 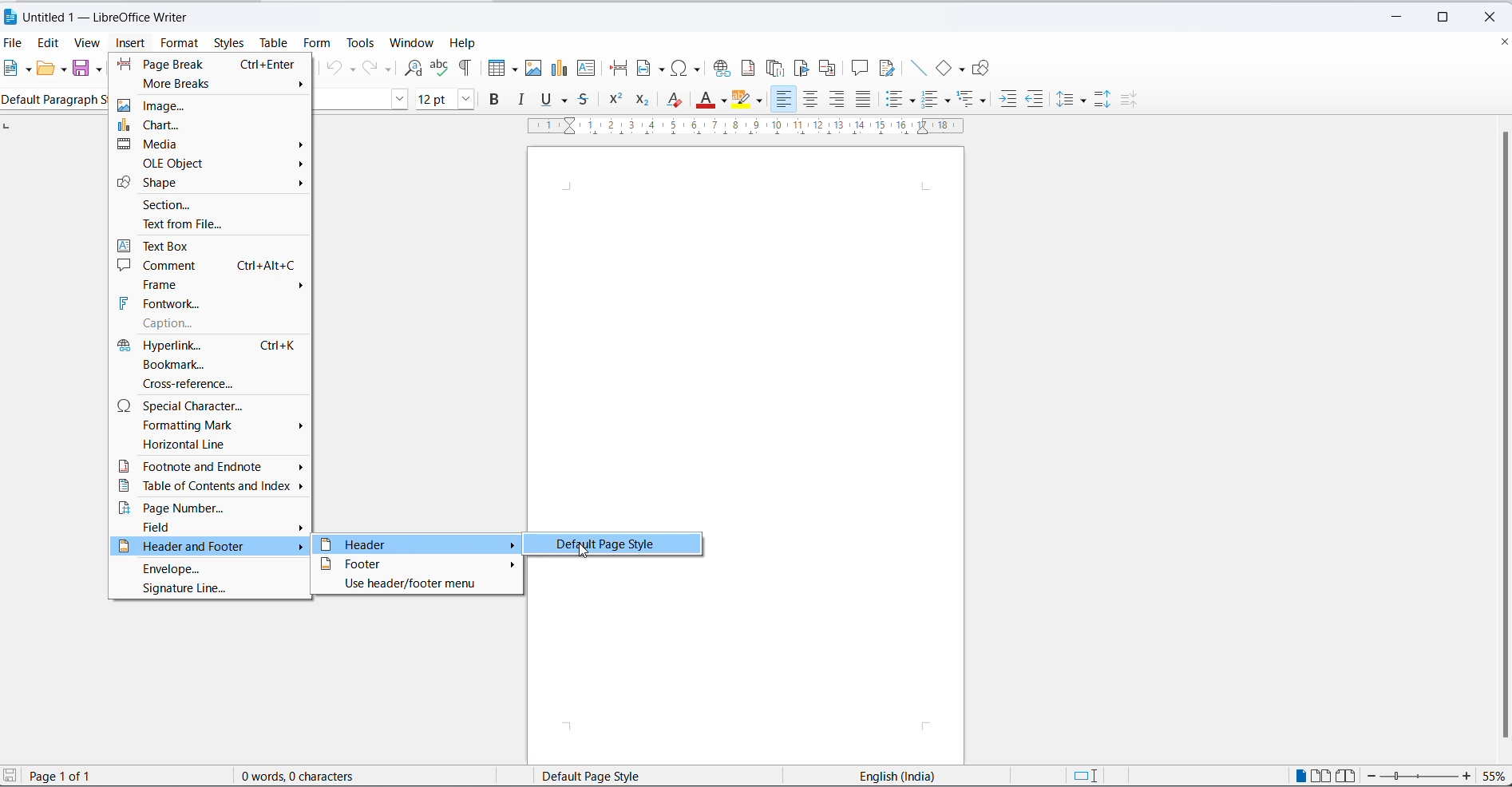 I want to click on Page 1 of 1, so click(x=86, y=776).